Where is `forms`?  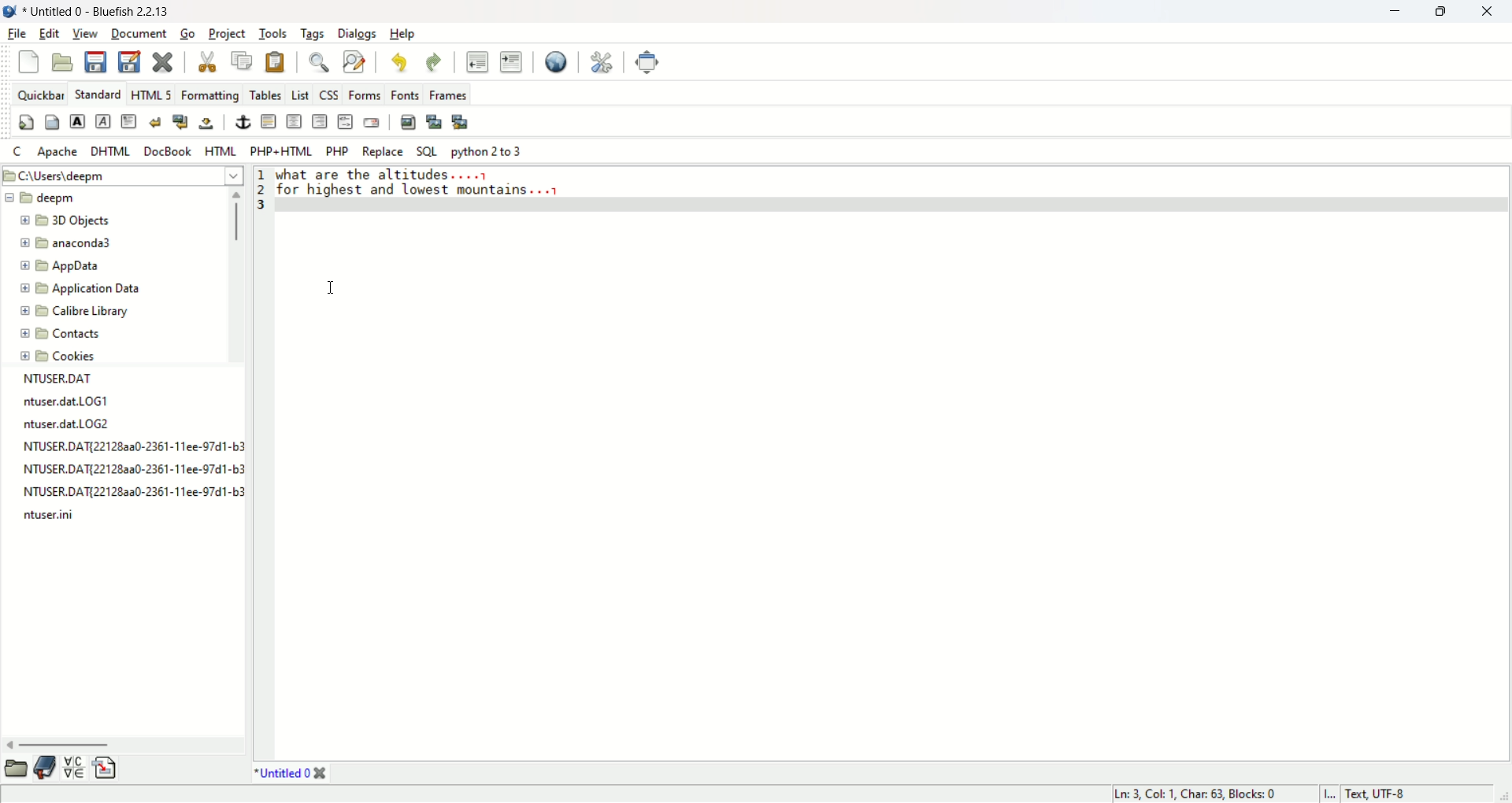
forms is located at coordinates (364, 94).